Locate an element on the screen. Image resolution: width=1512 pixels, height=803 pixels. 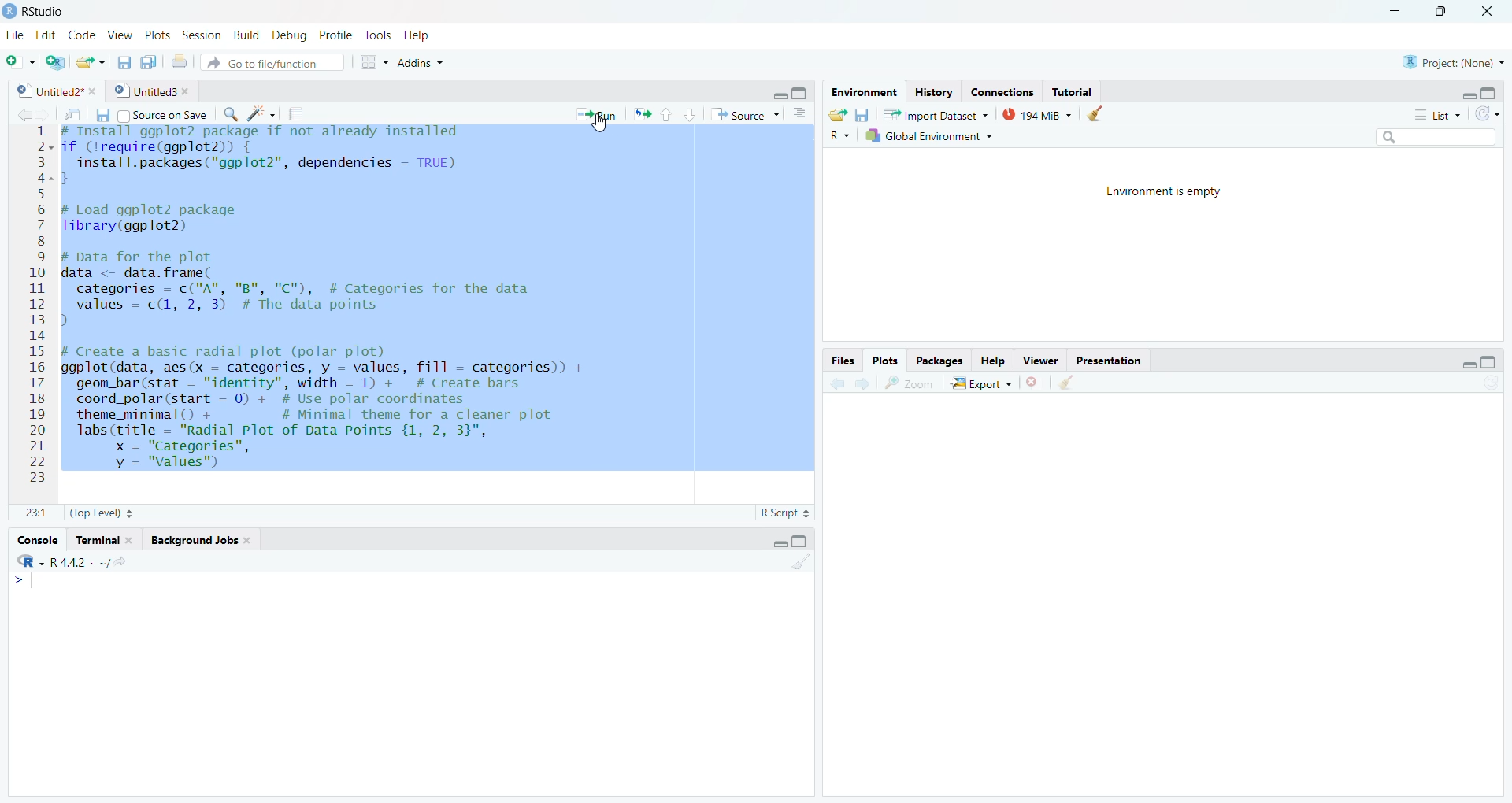
Session is located at coordinates (202, 35).